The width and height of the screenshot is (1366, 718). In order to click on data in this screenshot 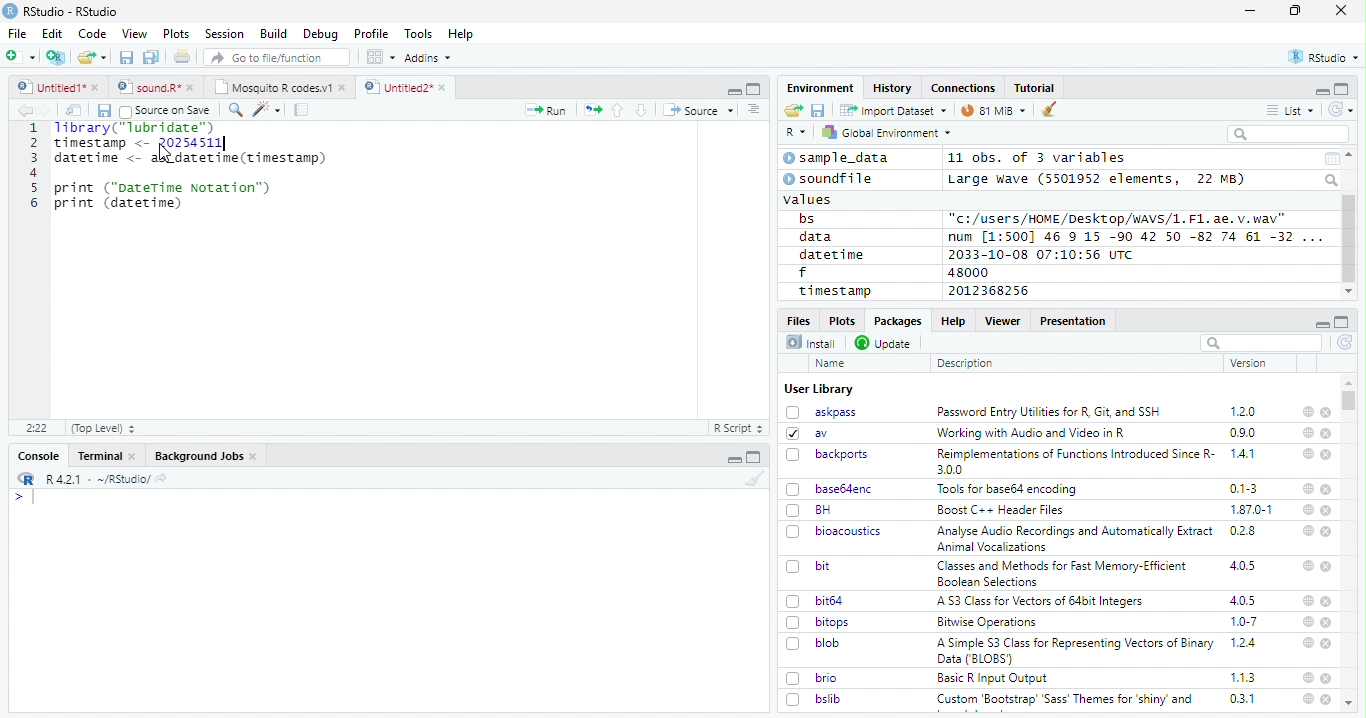, I will do `click(819, 237)`.